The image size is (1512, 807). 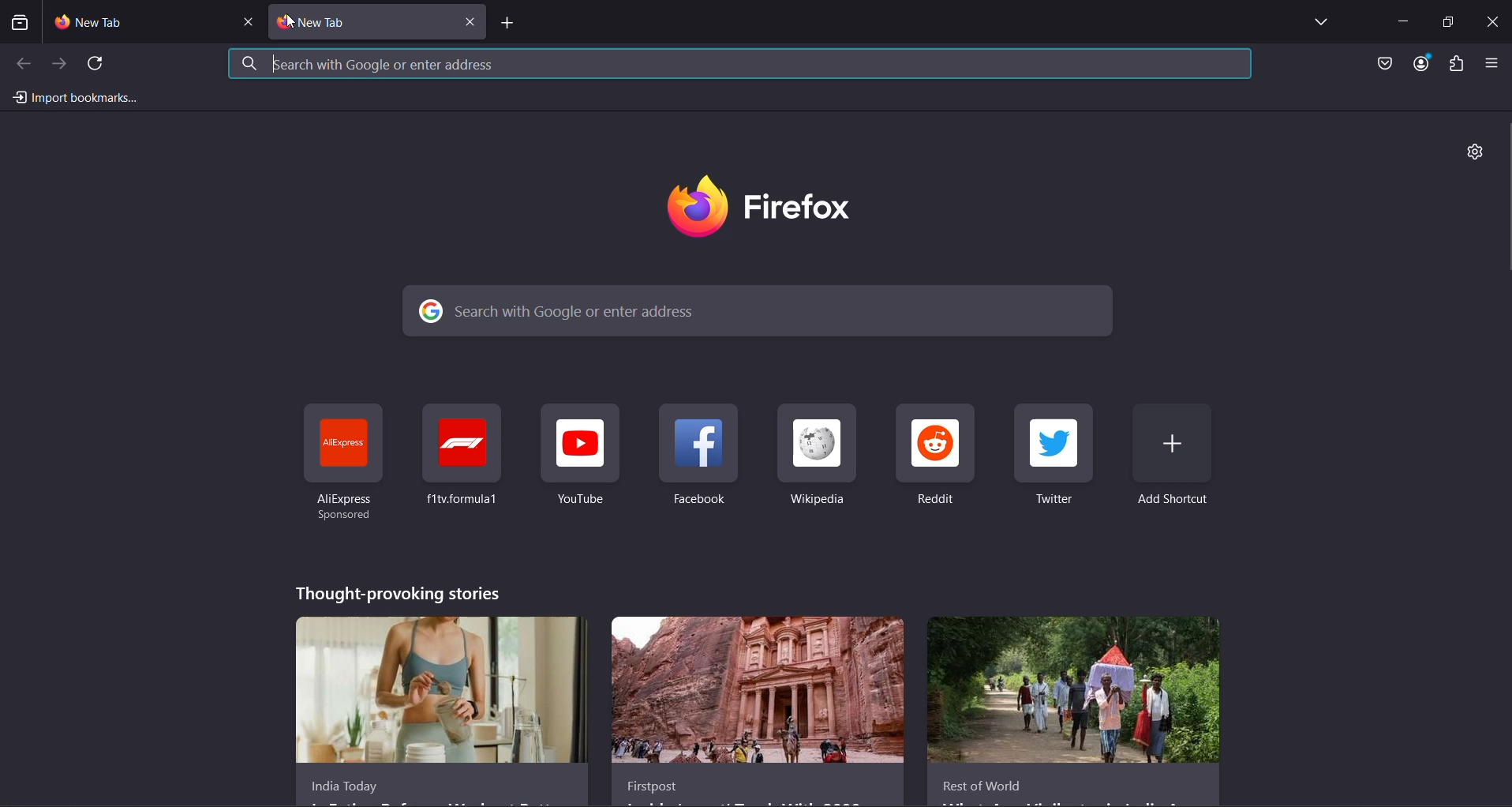 What do you see at coordinates (579, 456) in the screenshot?
I see `shortcut` at bounding box center [579, 456].